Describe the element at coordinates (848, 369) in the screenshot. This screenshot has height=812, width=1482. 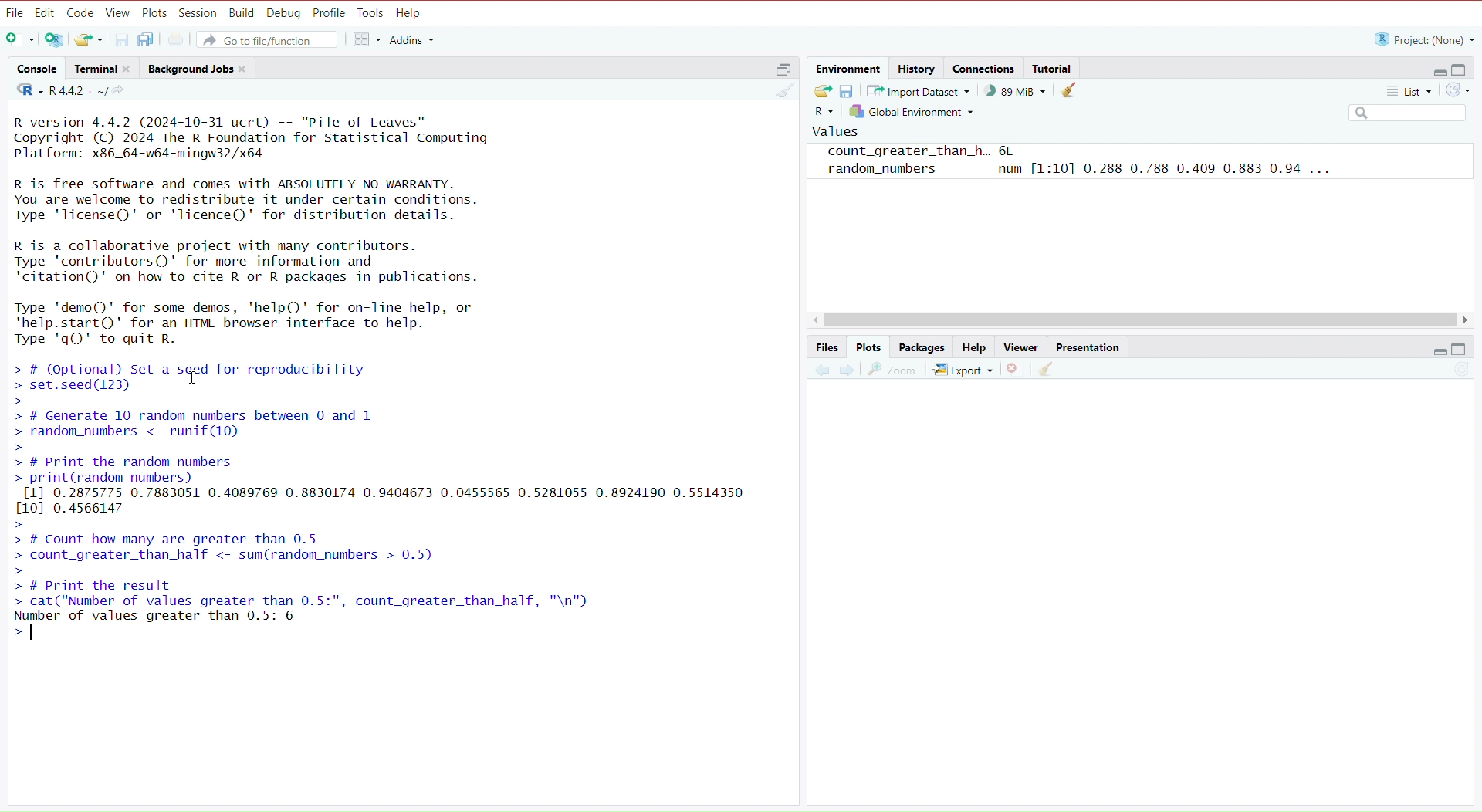
I see `Next Plot` at that location.